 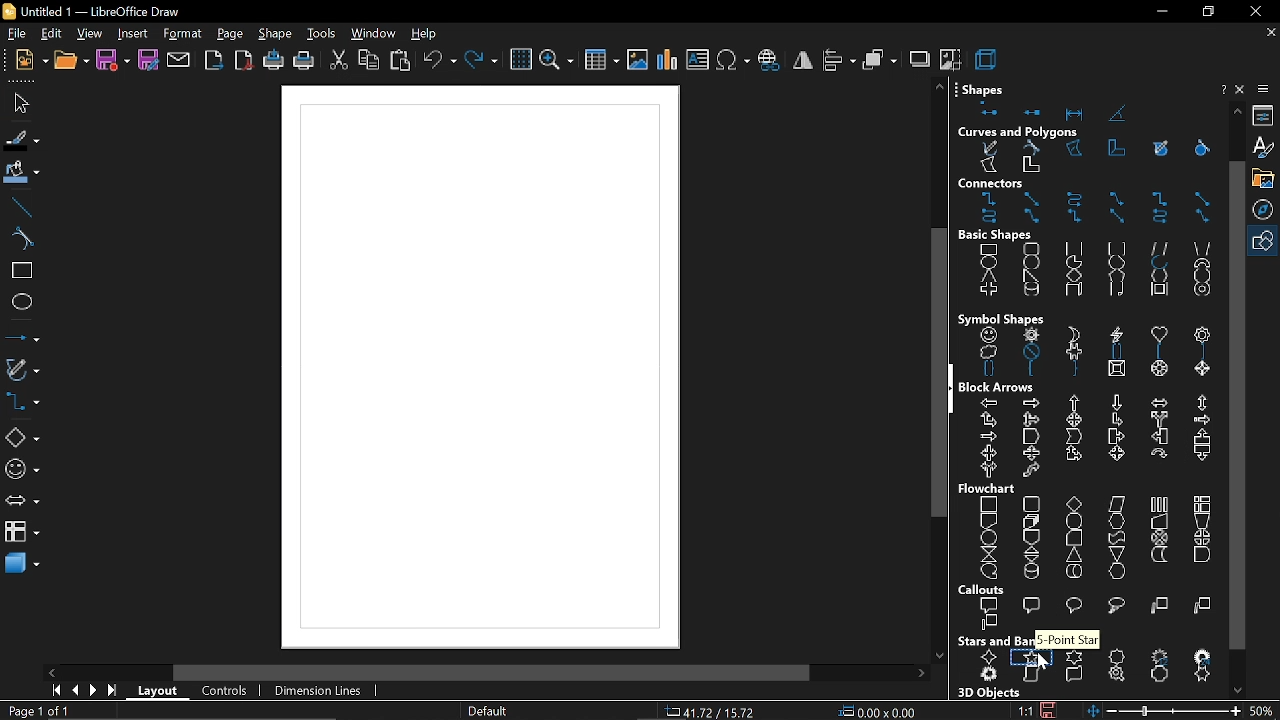 I want to click on save, so click(x=1050, y=710).